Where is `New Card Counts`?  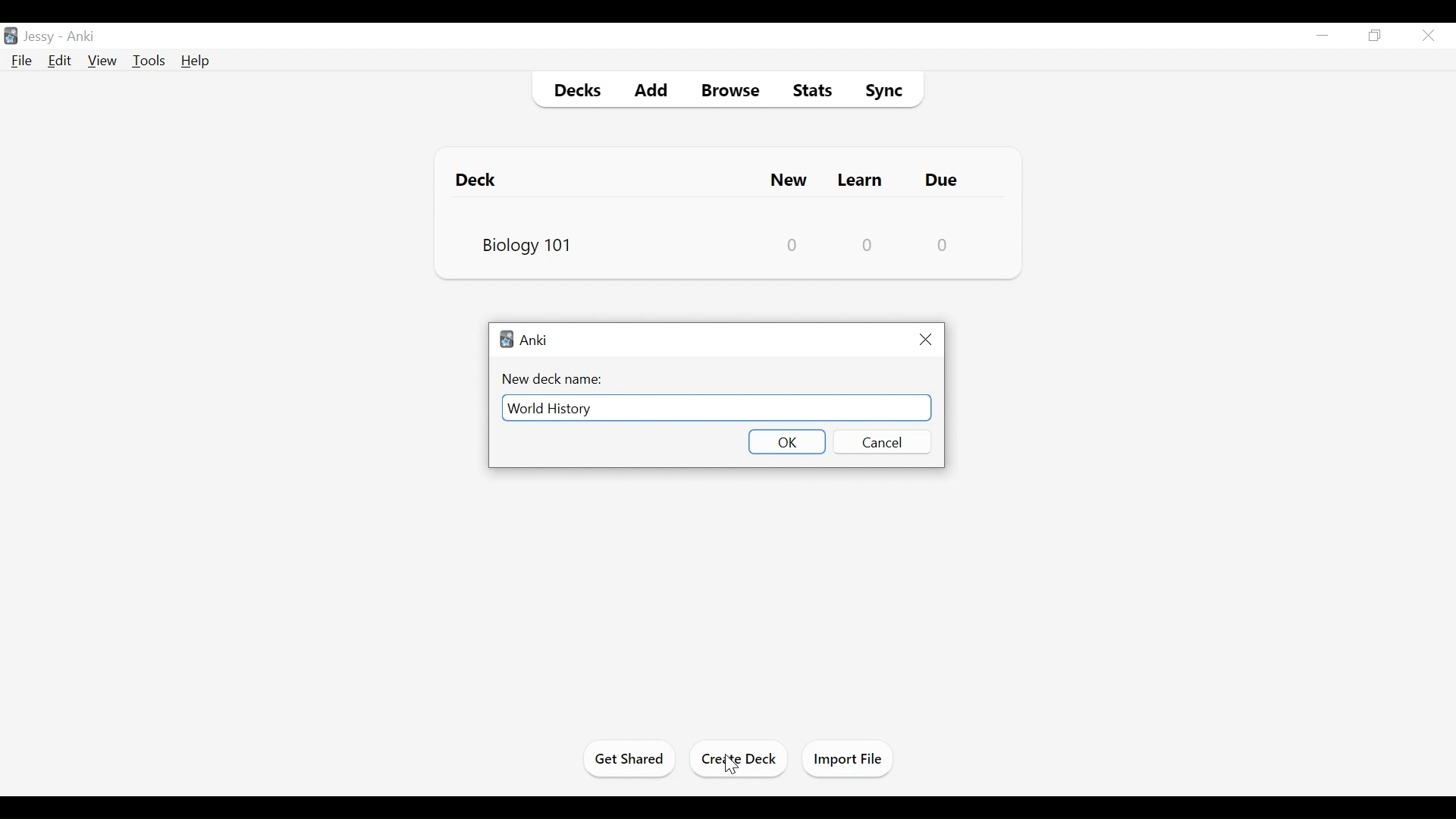
New Card Counts is located at coordinates (795, 243).